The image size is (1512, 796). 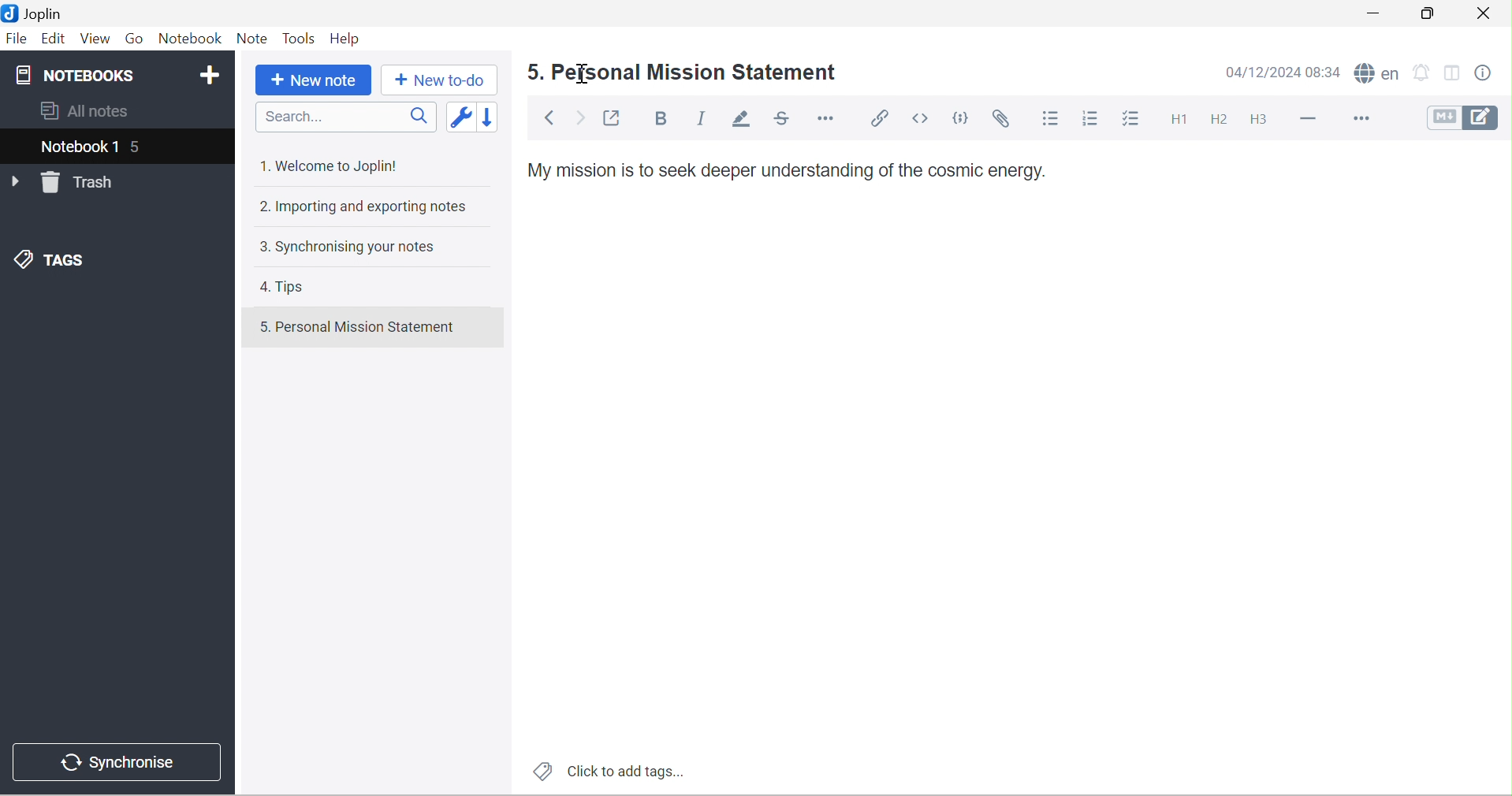 What do you see at coordinates (1489, 16) in the screenshot?
I see `Close` at bounding box center [1489, 16].